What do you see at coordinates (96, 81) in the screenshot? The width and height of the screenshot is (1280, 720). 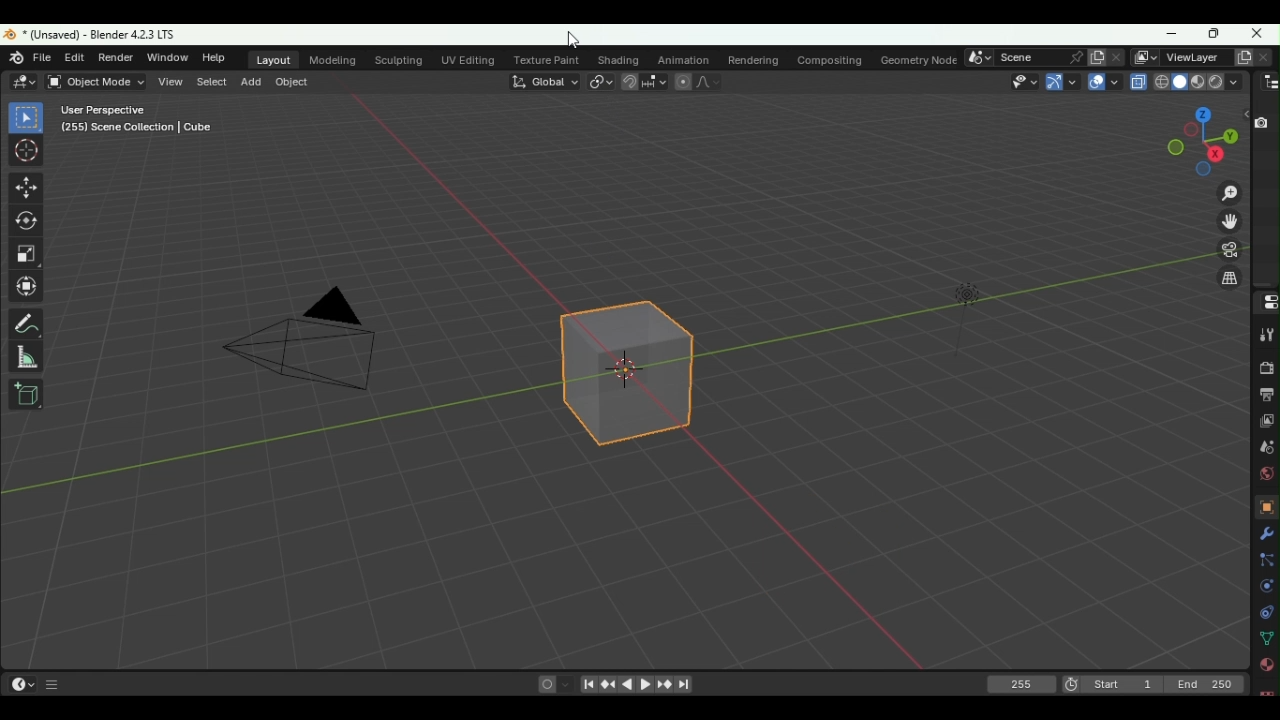 I see `Set the object interaction mode` at bounding box center [96, 81].